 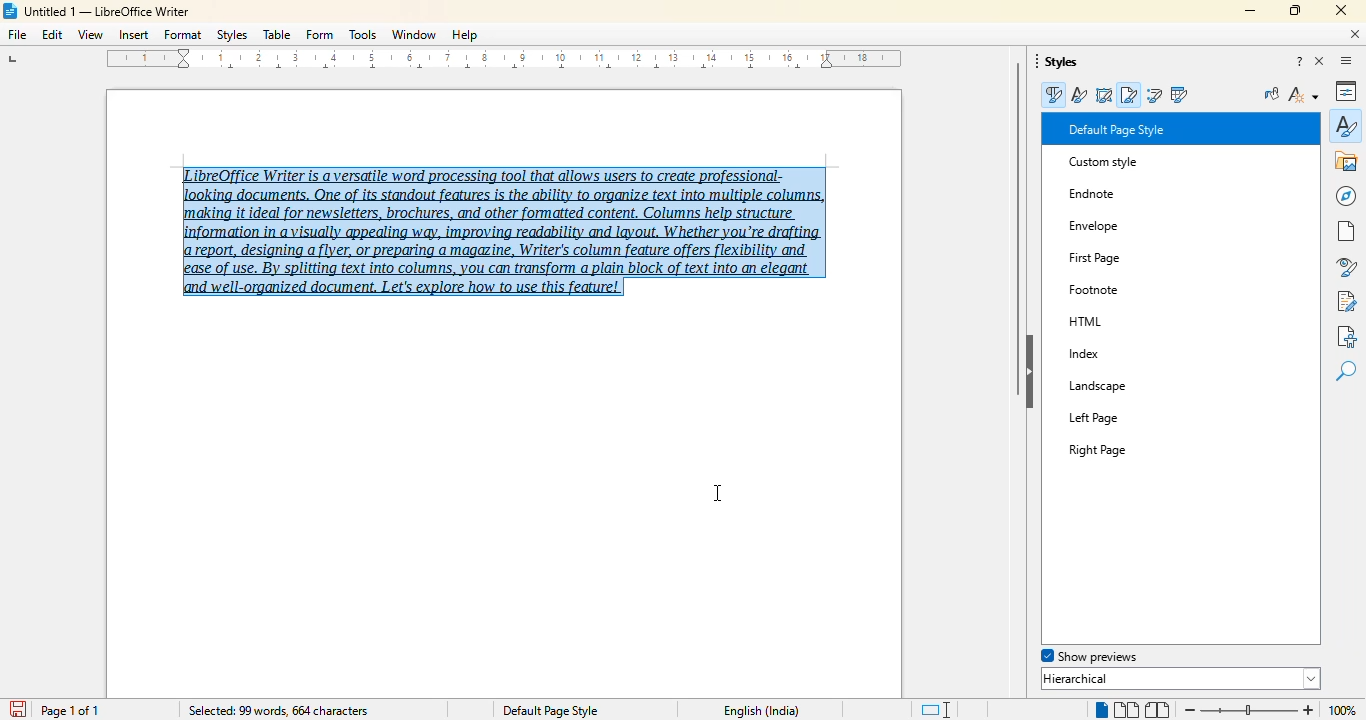 I want to click on manage changes, so click(x=1346, y=301).